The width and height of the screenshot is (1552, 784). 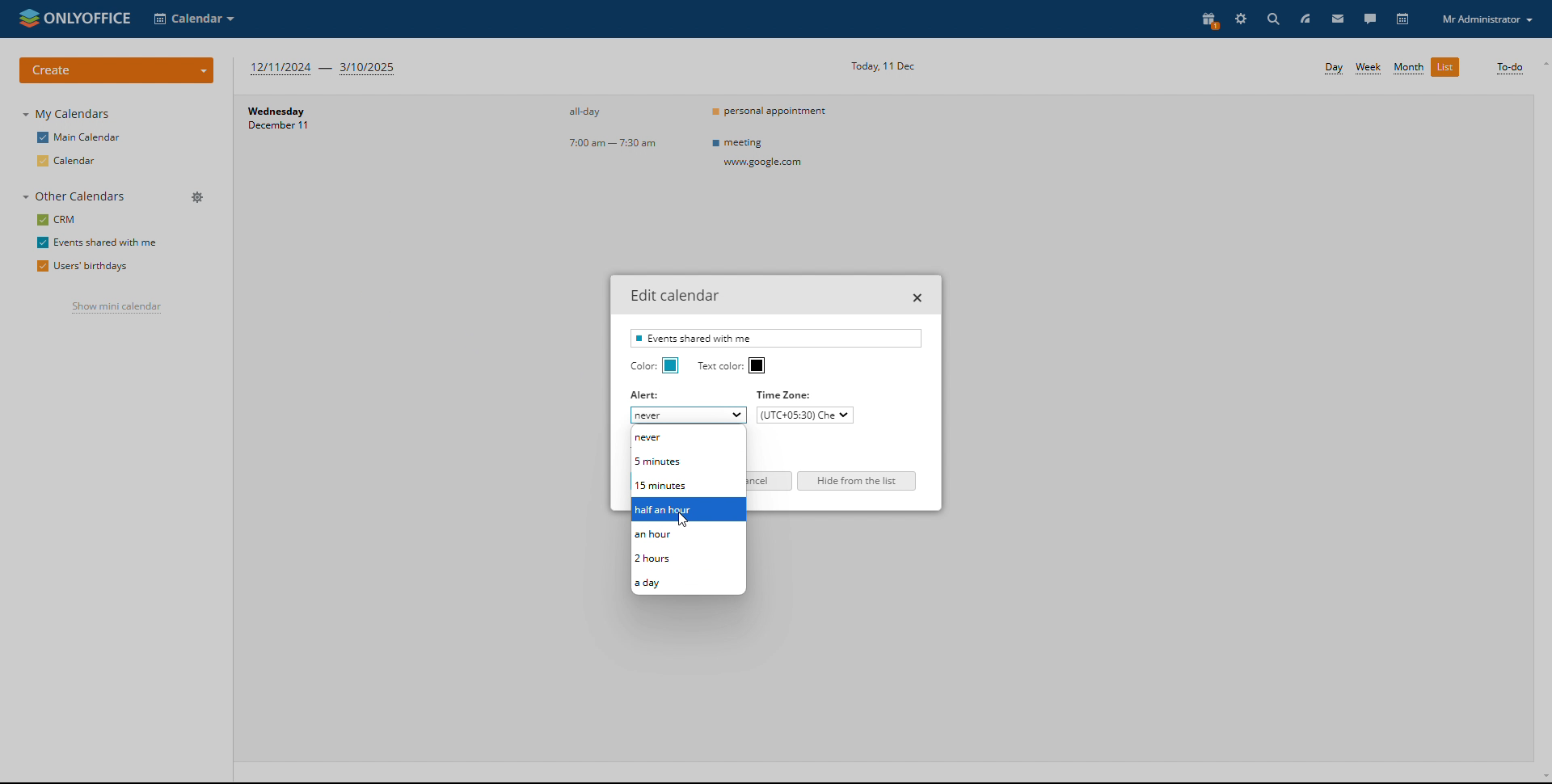 What do you see at coordinates (1542, 778) in the screenshot?
I see `scroll down` at bounding box center [1542, 778].